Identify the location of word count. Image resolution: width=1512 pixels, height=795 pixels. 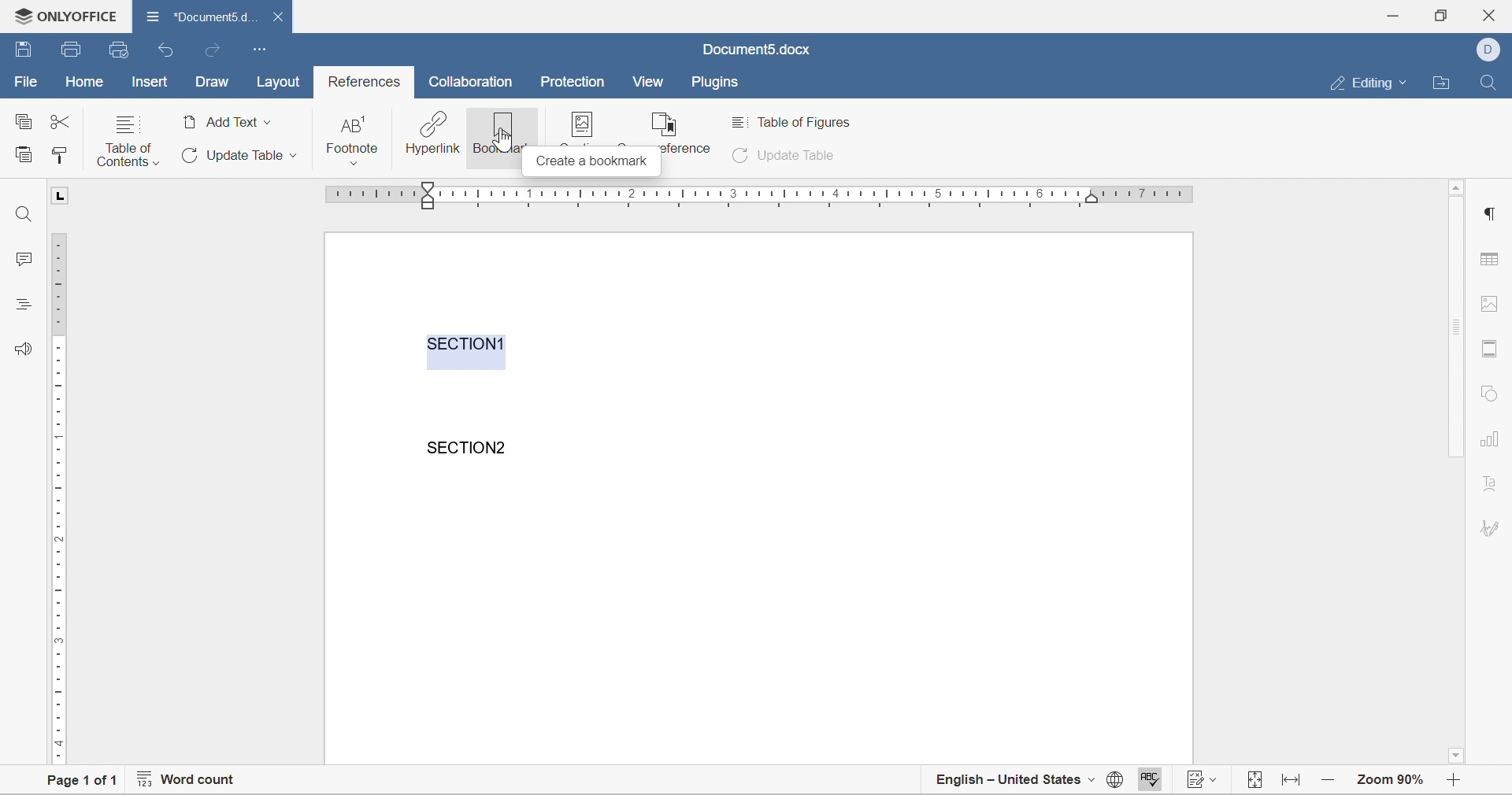
(185, 782).